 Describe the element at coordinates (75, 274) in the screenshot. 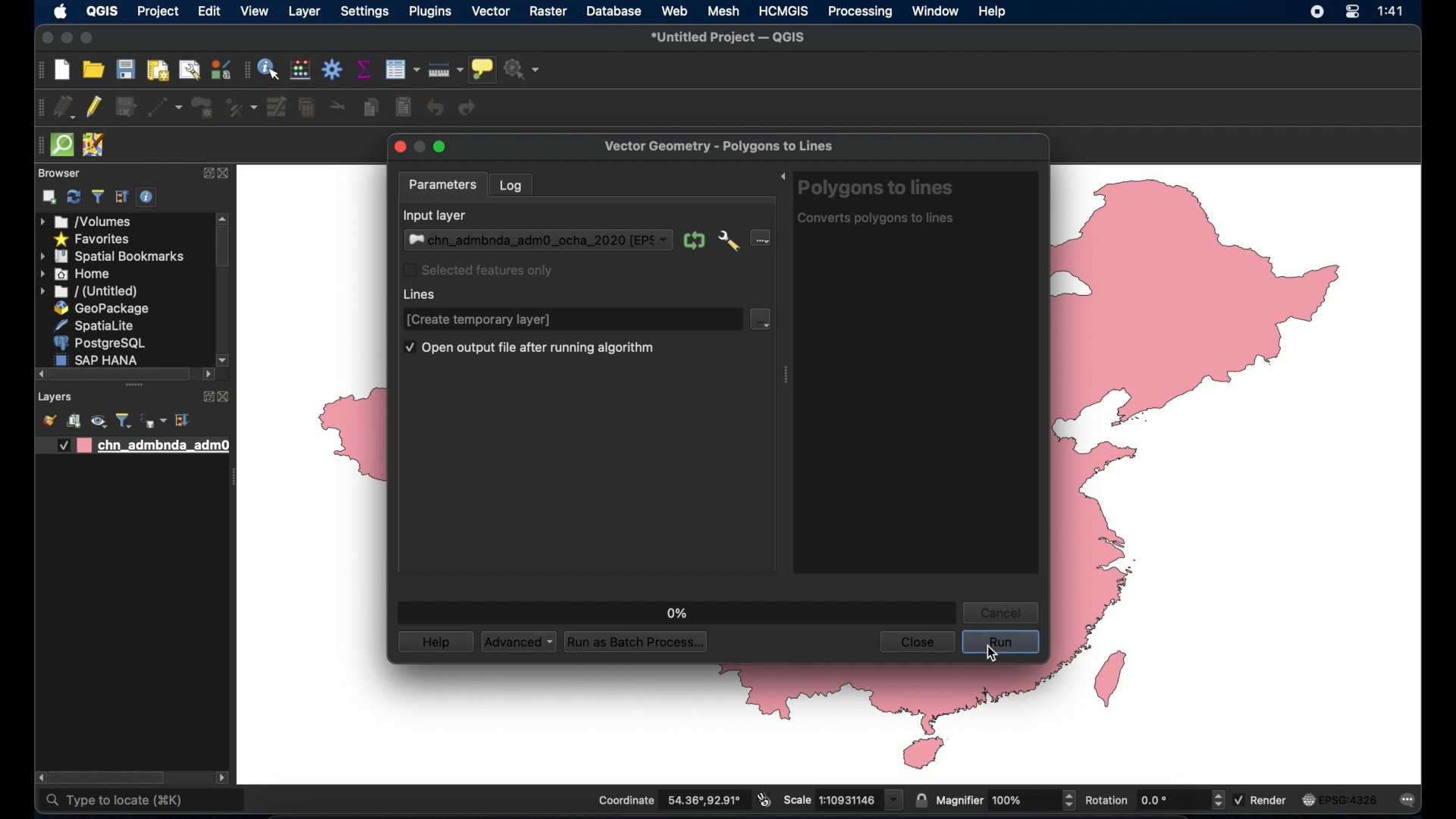

I see `home` at that location.